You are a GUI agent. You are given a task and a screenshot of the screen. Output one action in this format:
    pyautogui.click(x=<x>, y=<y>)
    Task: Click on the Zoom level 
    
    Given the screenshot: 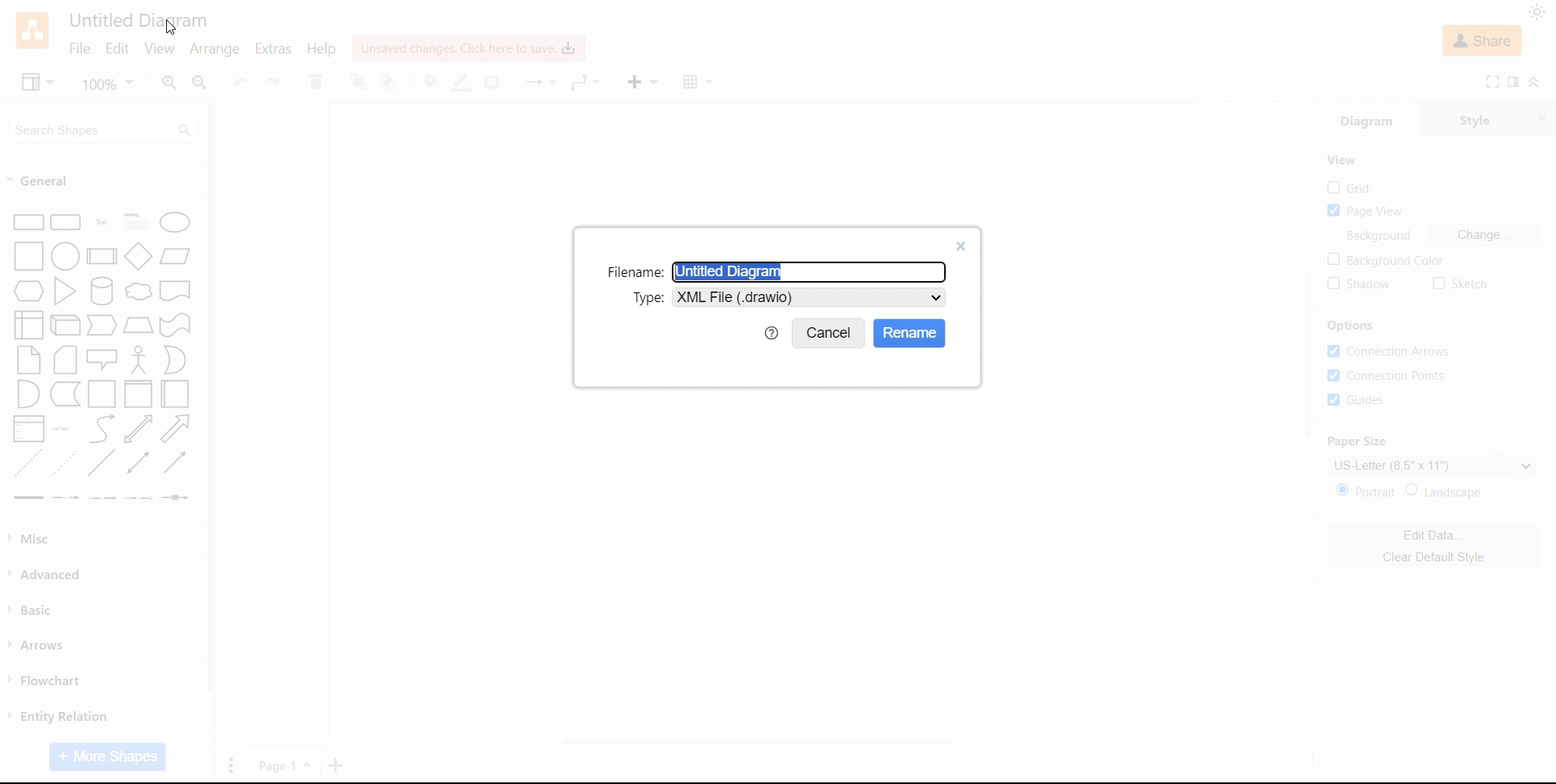 What is the action you would take?
    pyautogui.click(x=109, y=83)
    